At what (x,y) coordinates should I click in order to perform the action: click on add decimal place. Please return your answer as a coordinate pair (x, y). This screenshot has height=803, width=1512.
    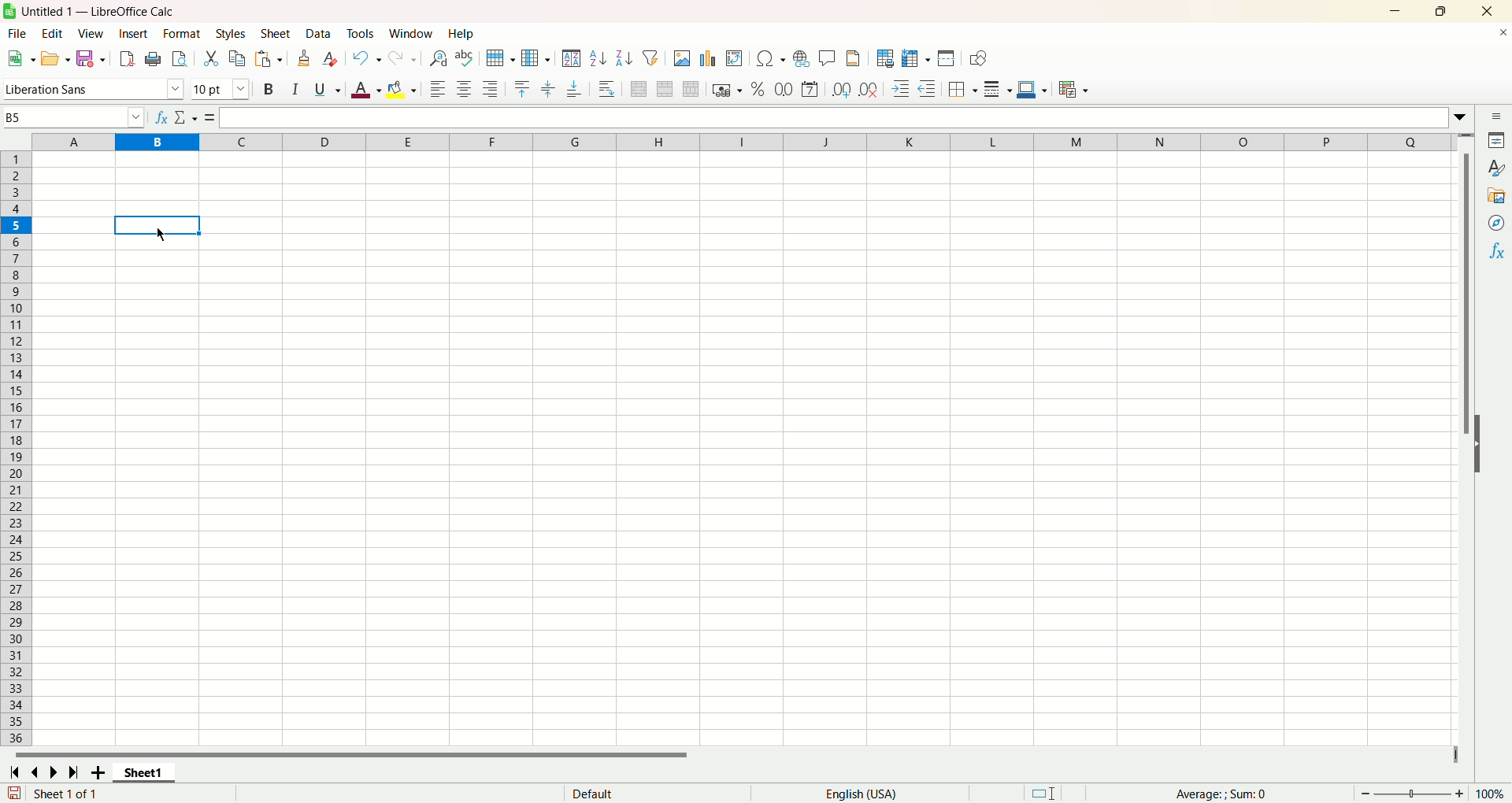
    Looking at the image, I should click on (841, 90).